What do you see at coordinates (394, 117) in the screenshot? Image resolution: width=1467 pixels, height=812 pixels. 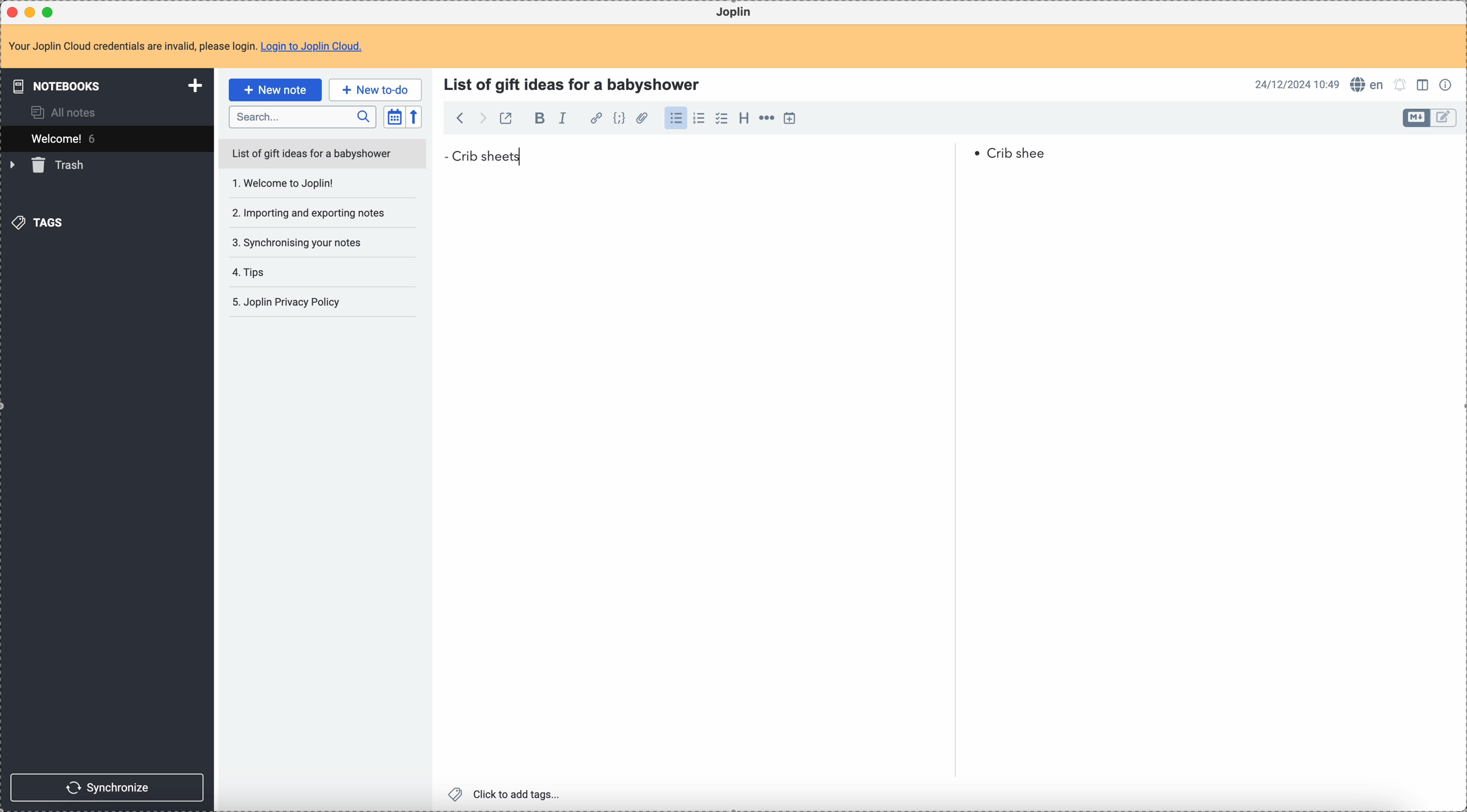 I see `toggle sort order field` at bounding box center [394, 117].